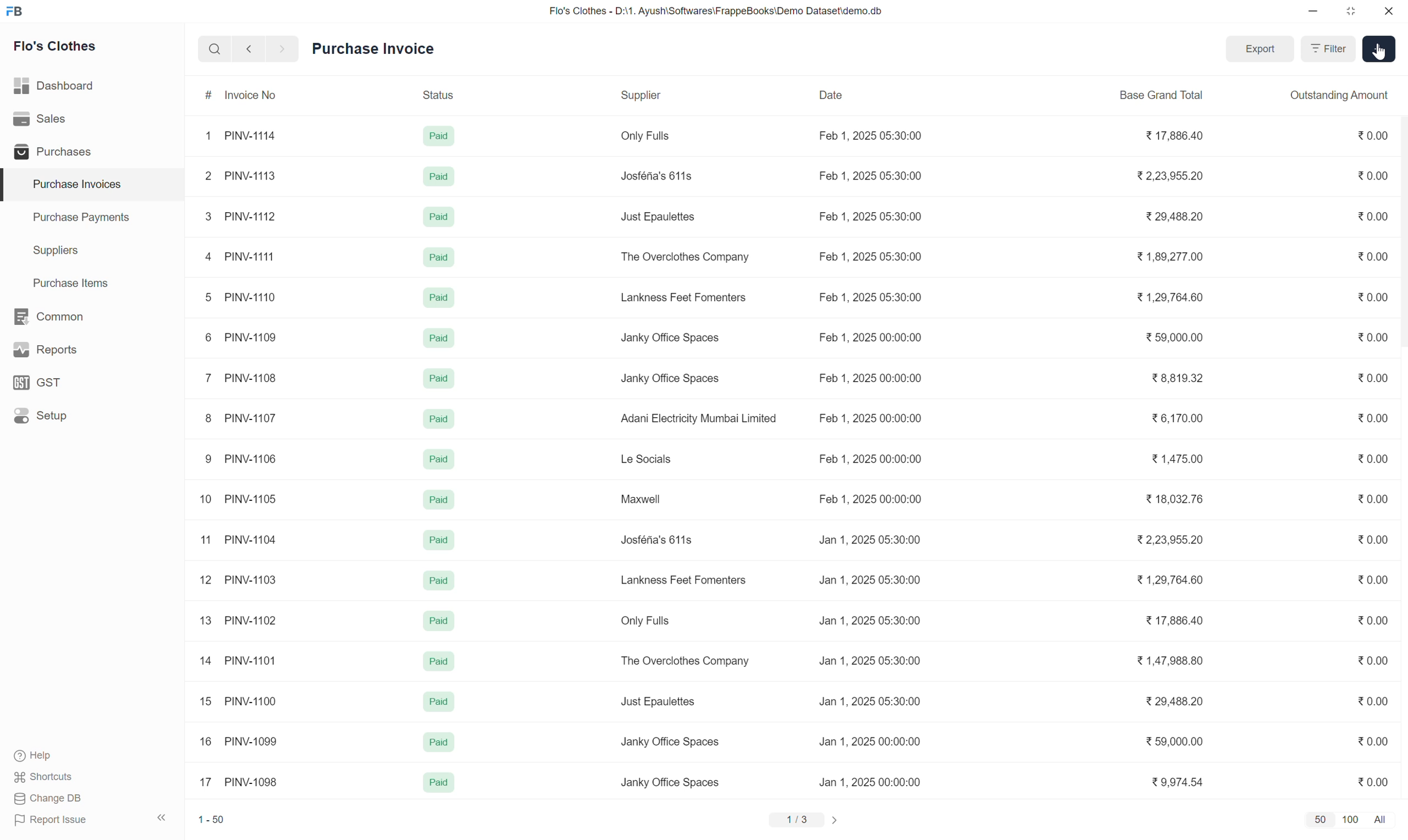 This screenshot has height=840, width=1408. What do you see at coordinates (239, 620) in the screenshot?
I see `13 PINV-1102` at bounding box center [239, 620].